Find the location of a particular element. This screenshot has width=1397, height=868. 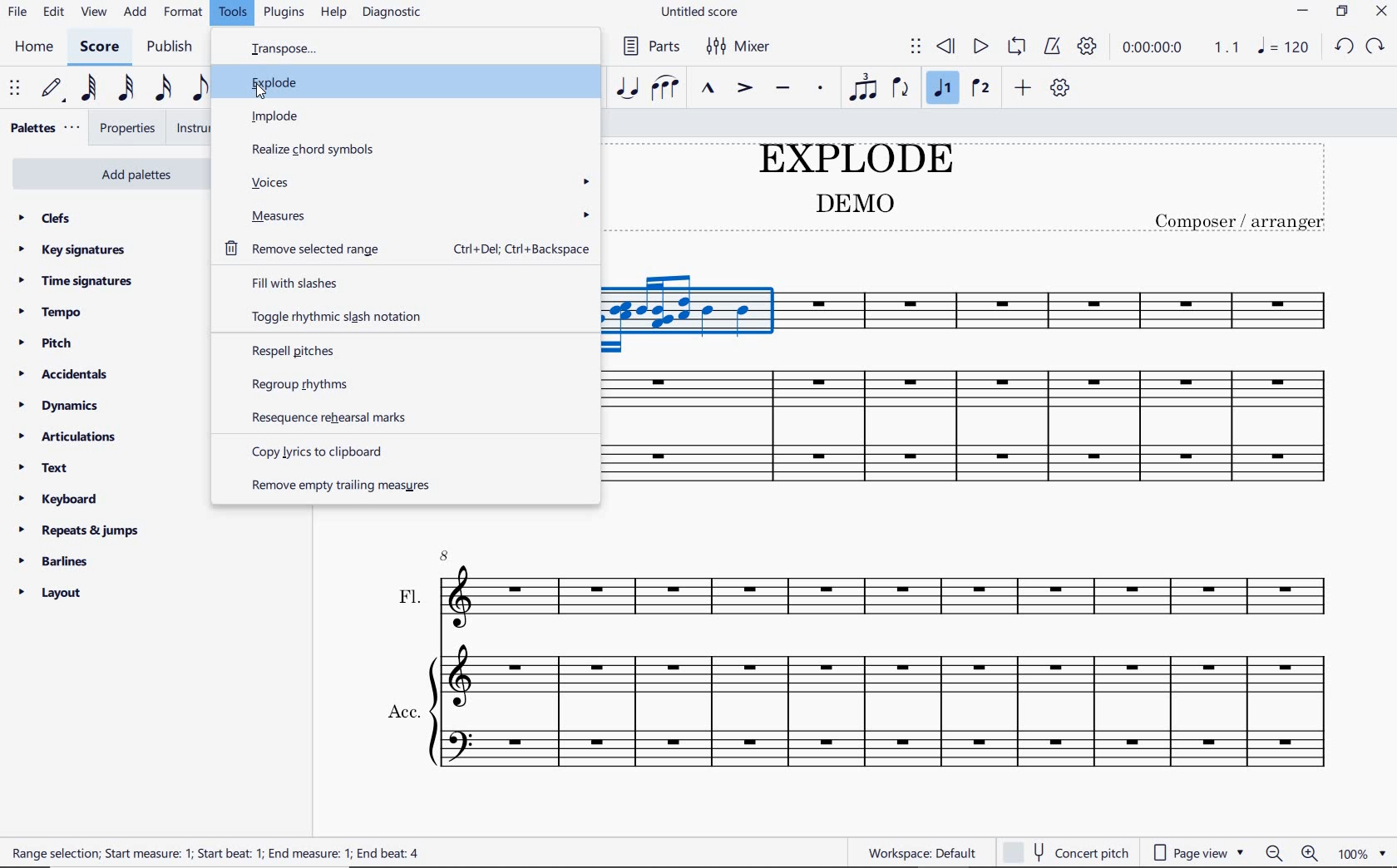

clefs is located at coordinates (45, 217).